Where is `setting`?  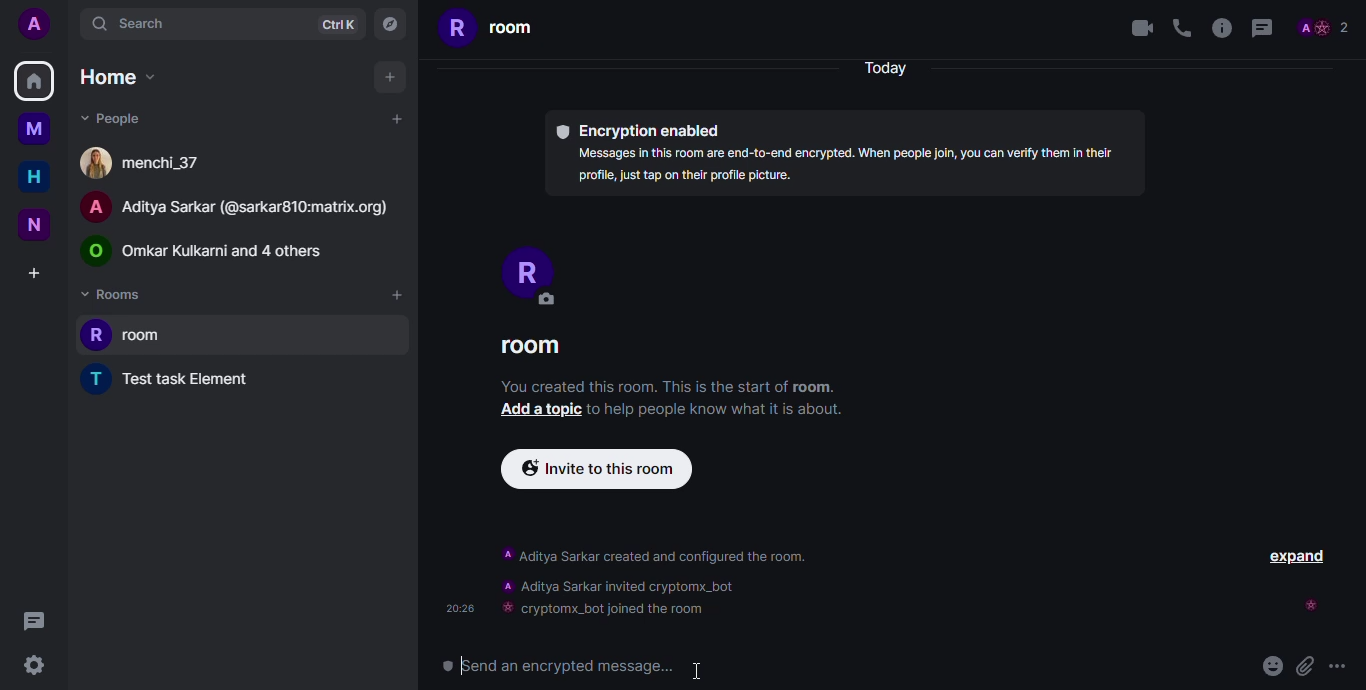
setting is located at coordinates (34, 668).